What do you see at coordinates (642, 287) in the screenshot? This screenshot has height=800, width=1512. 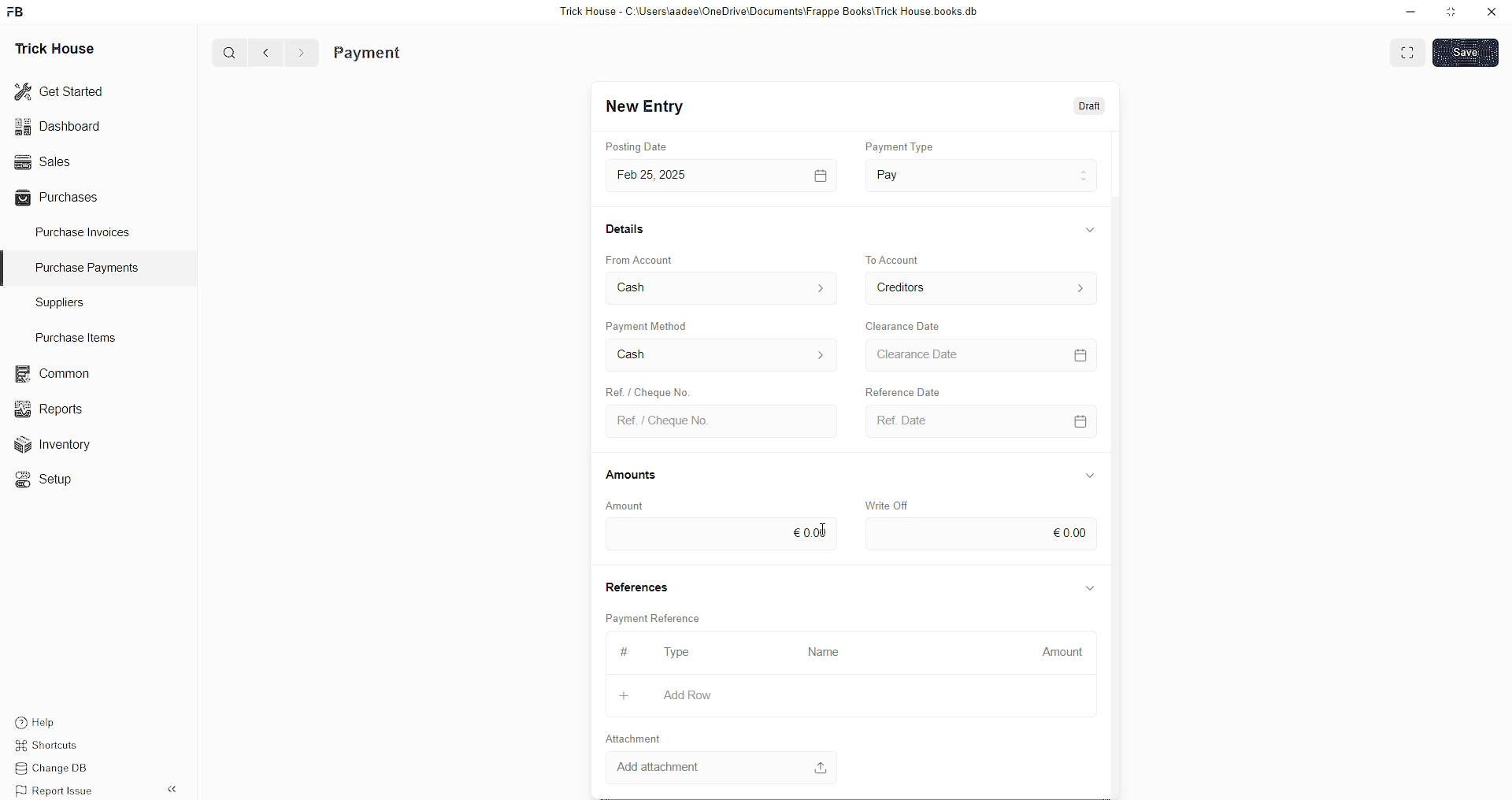 I see `Cash` at bounding box center [642, 287].